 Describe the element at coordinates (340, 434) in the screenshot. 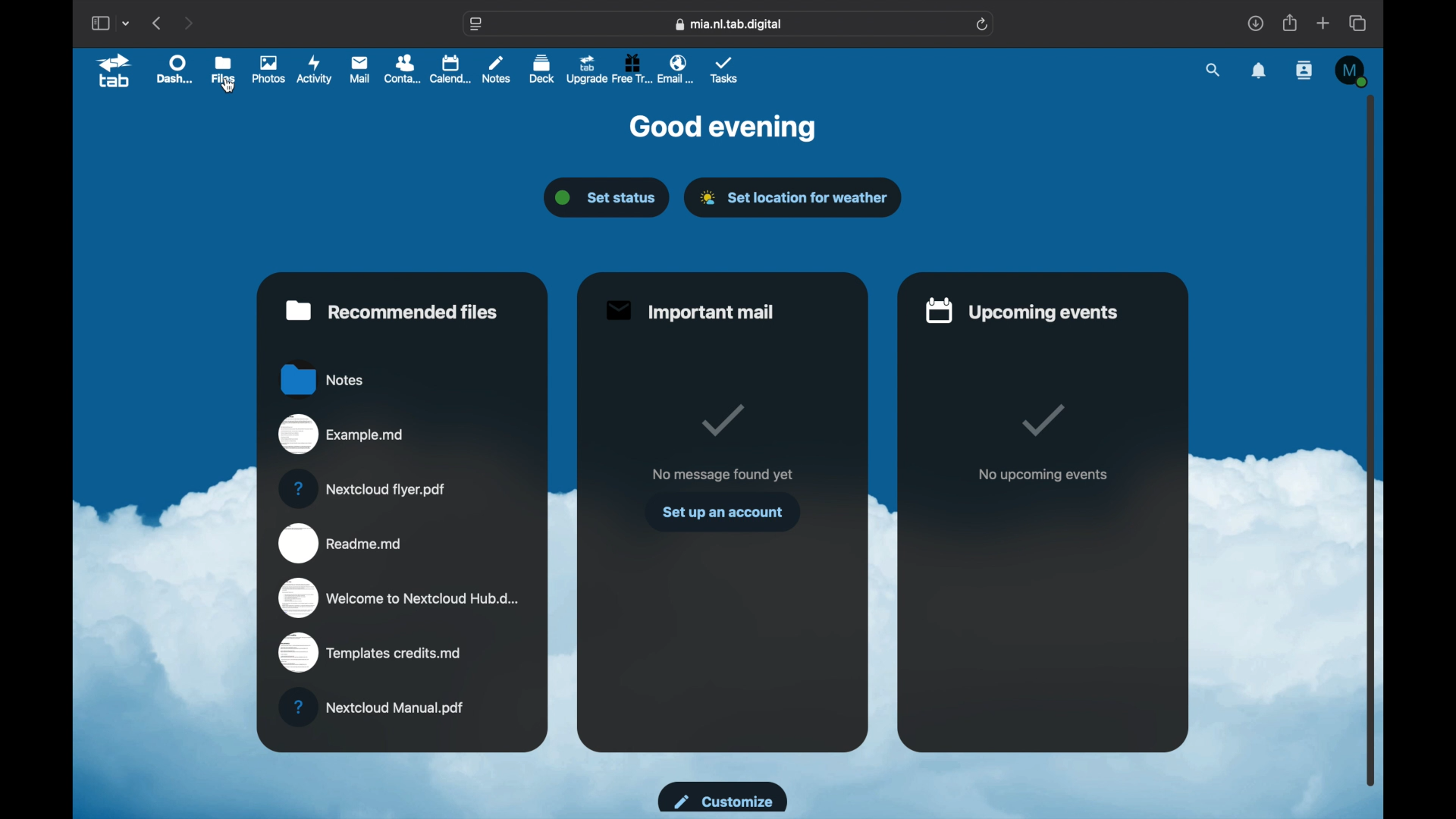

I see `example.md` at that location.